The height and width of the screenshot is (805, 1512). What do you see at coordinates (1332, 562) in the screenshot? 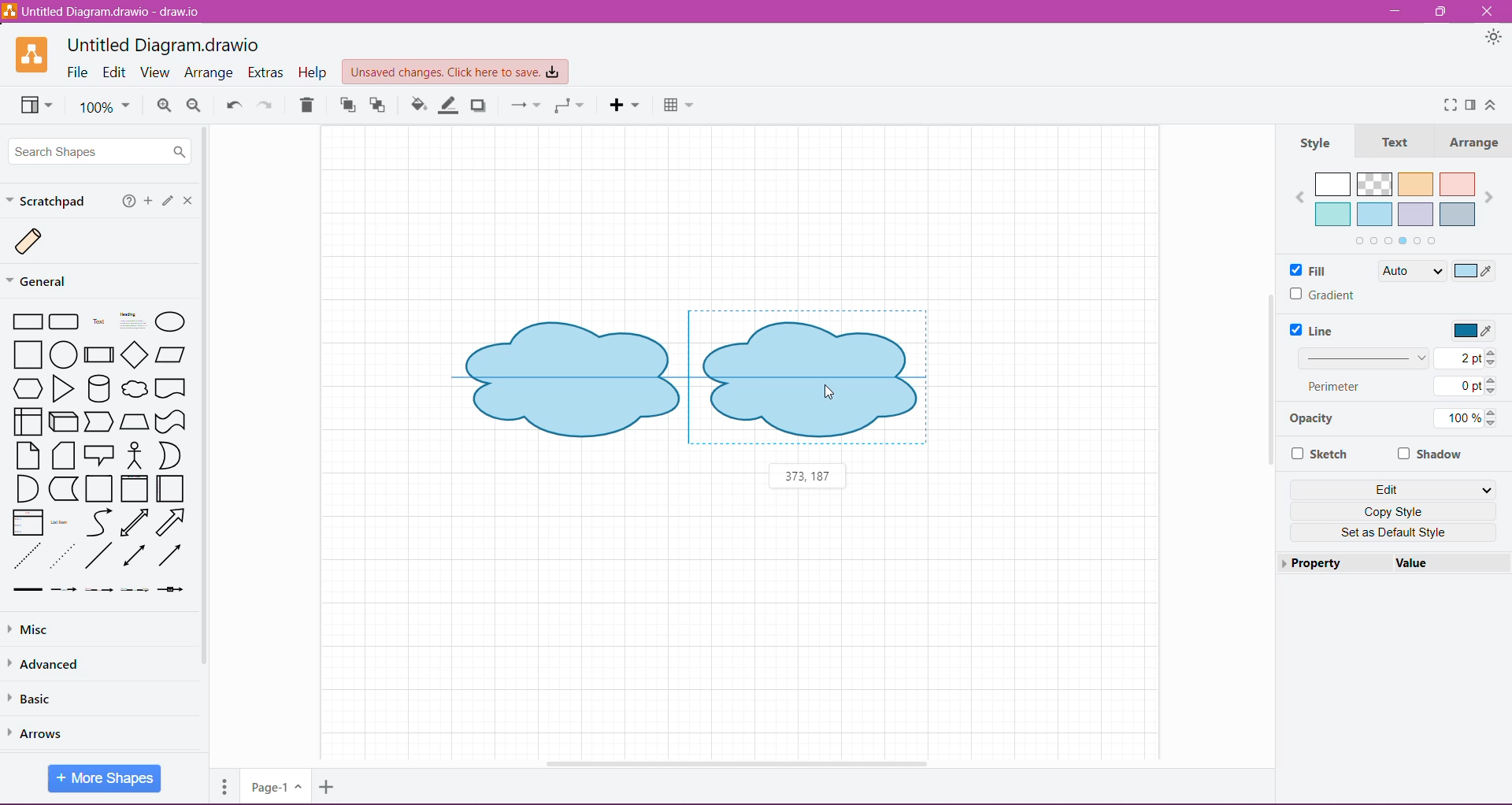
I see `Property` at bounding box center [1332, 562].